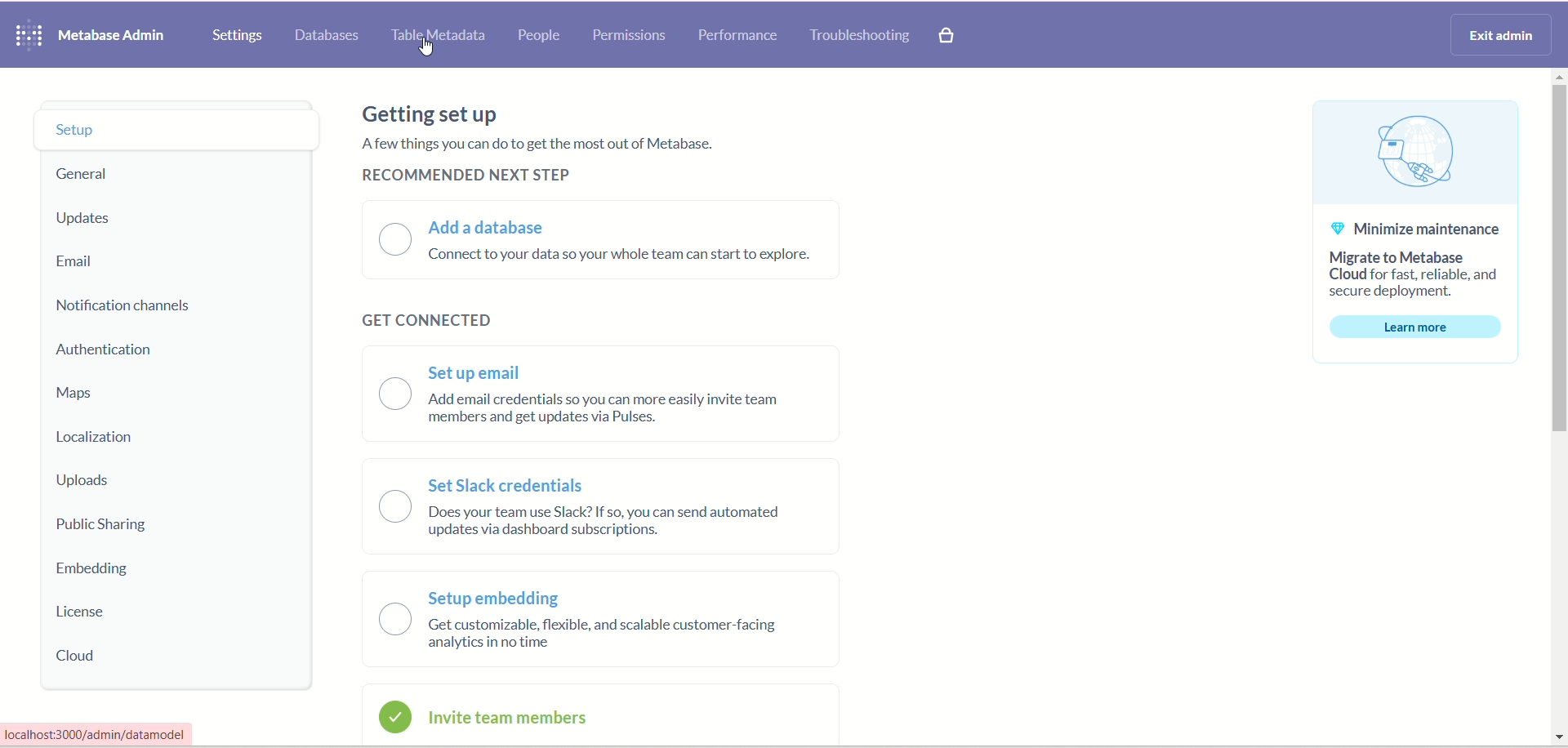  I want to click on set up email , so click(626, 369).